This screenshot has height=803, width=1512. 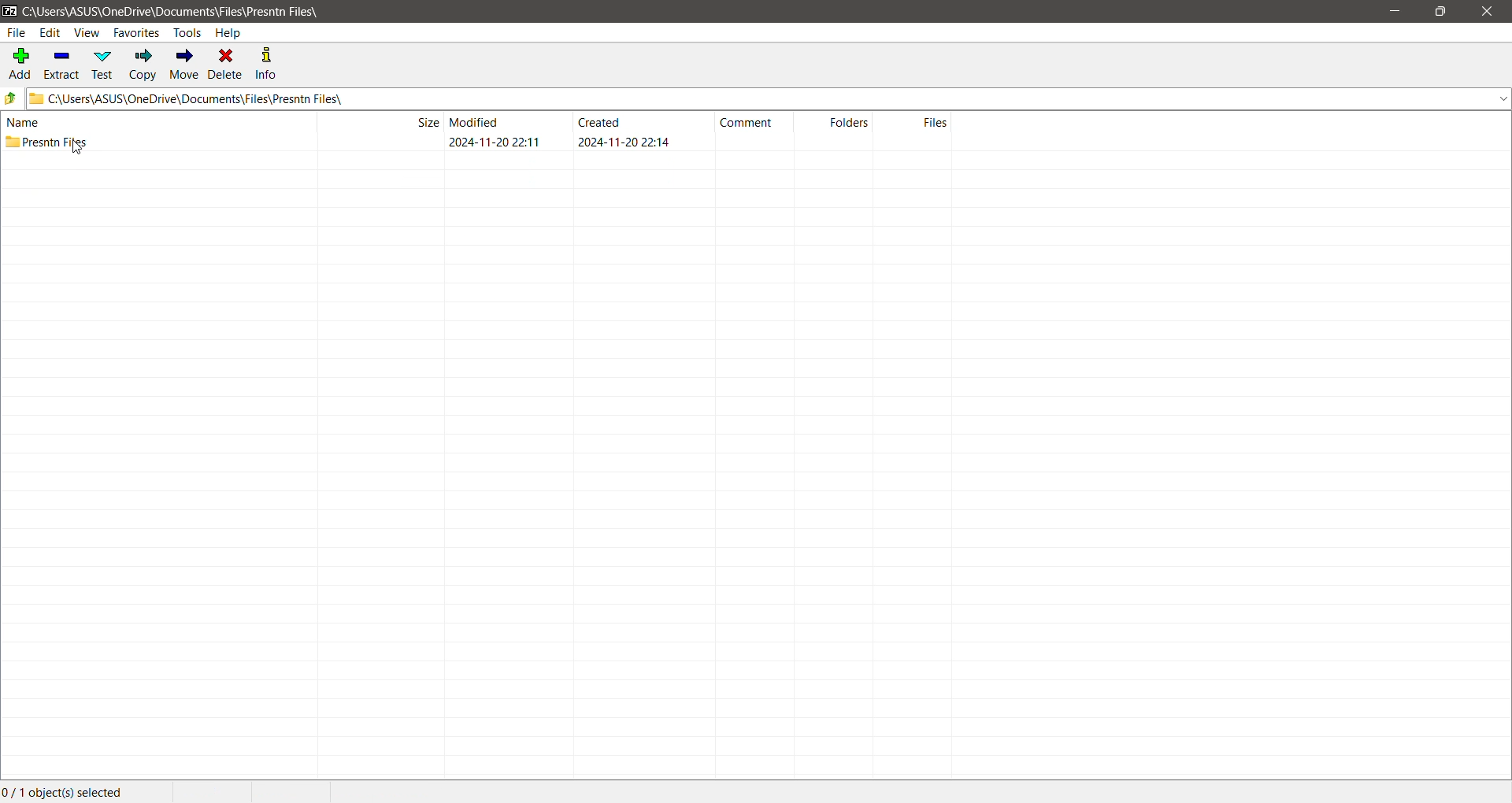 I want to click on created, so click(x=599, y=121).